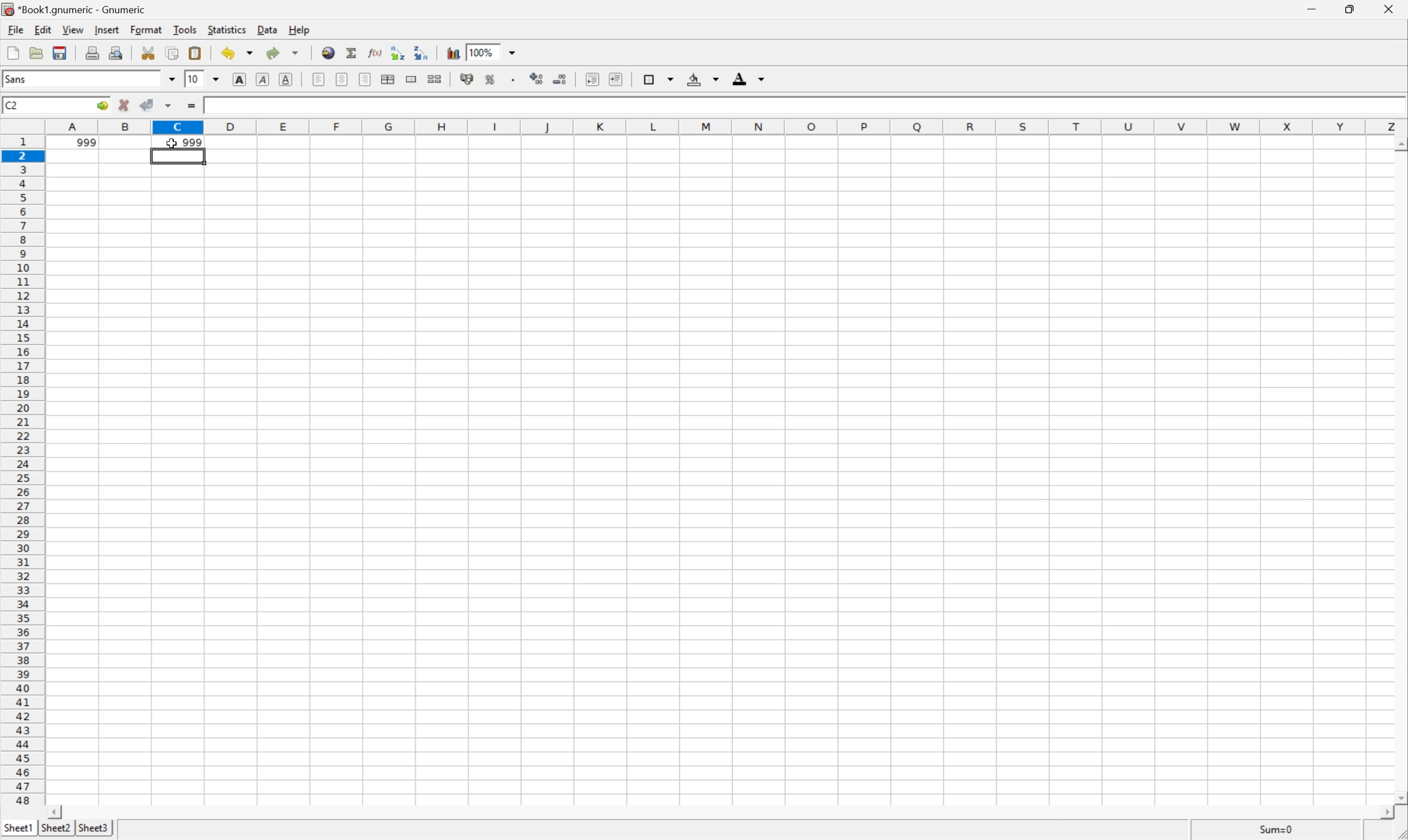 The width and height of the screenshot is (1408, 840). Describe the element at coordinates (76, 144) in the screenshot. I see `999` at that location.